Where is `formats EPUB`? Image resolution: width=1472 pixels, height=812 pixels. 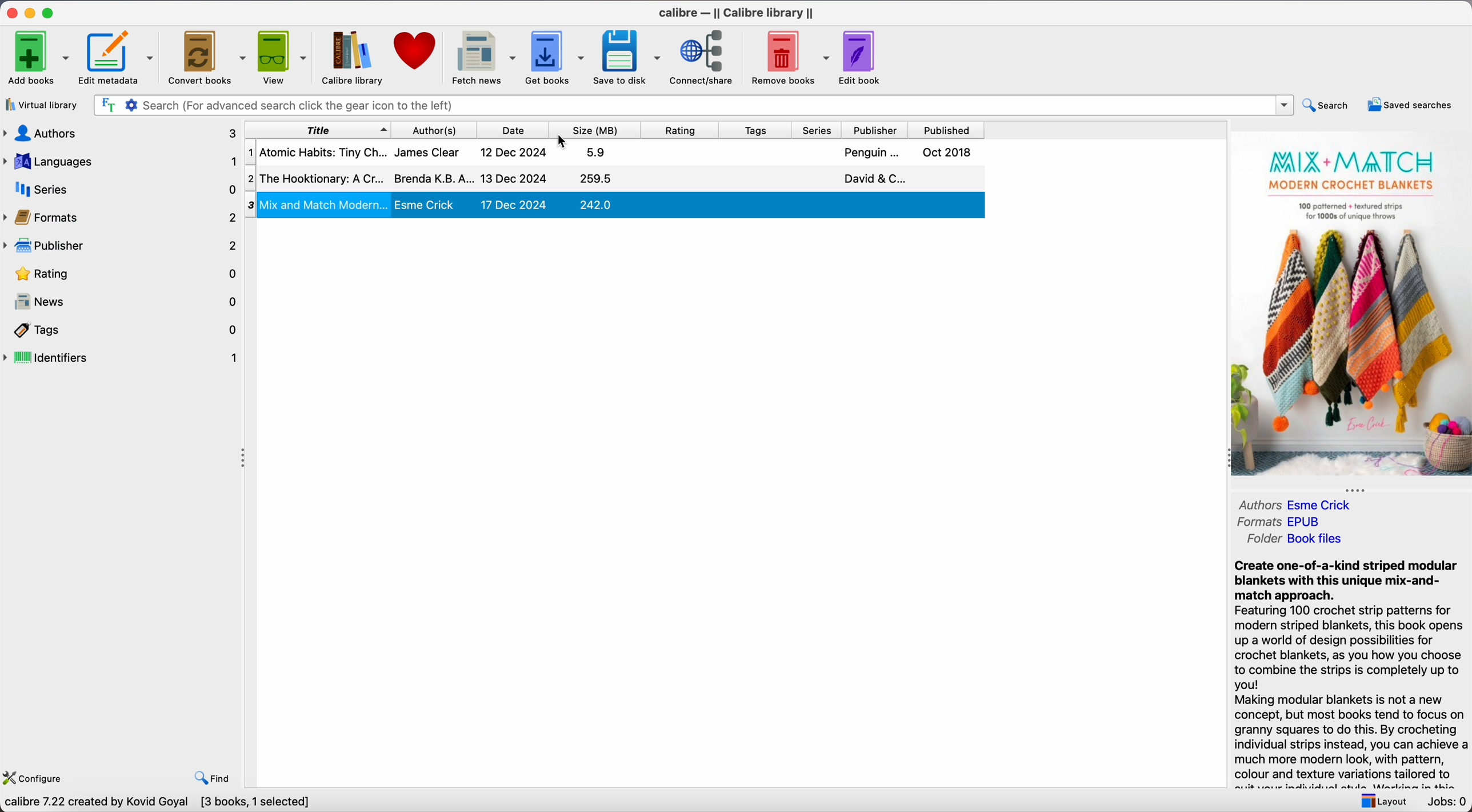 formats EPUB is located at coordinates (1284, 521).